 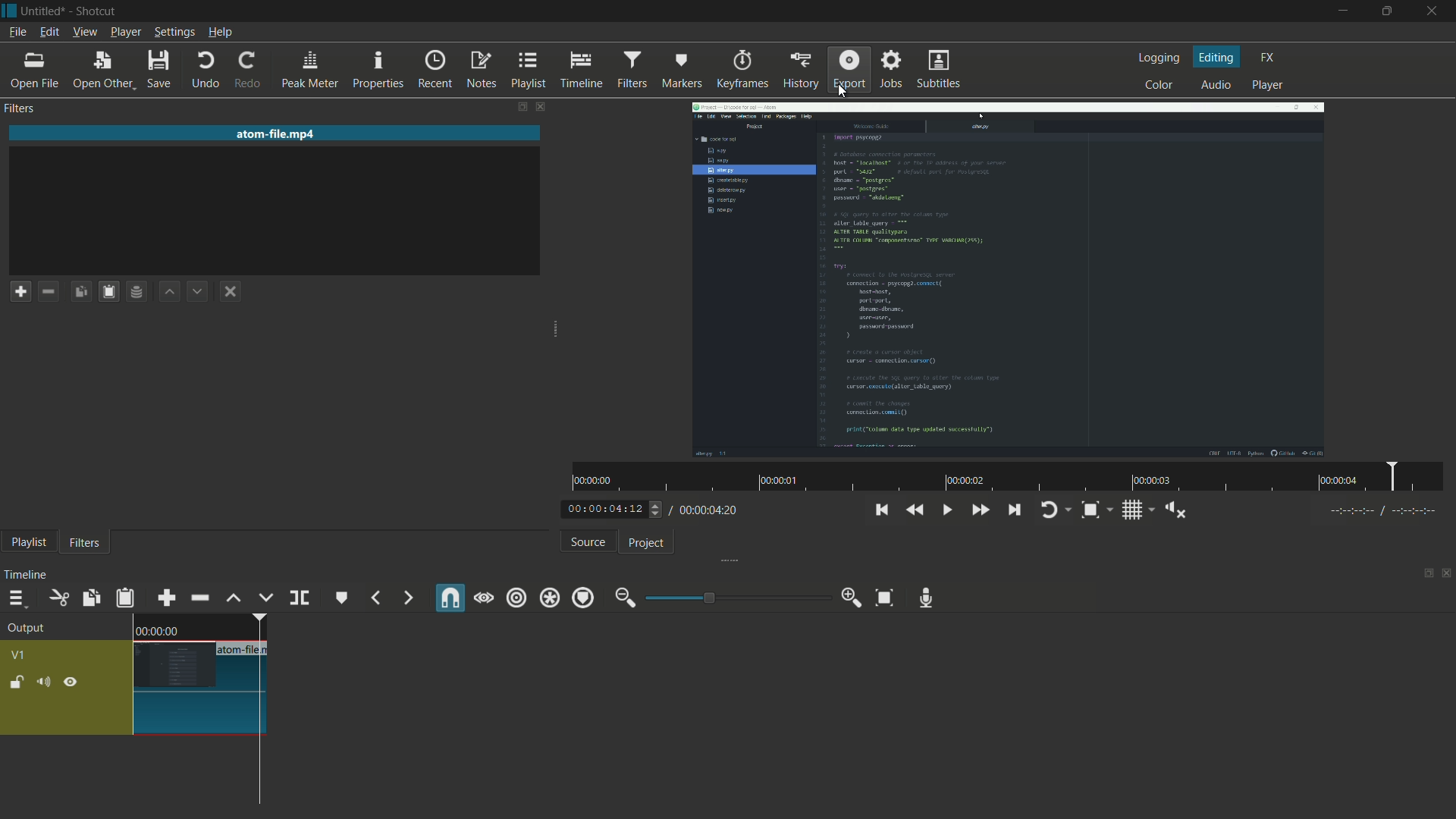 I want to click on markers, so click(x=682, y=69).